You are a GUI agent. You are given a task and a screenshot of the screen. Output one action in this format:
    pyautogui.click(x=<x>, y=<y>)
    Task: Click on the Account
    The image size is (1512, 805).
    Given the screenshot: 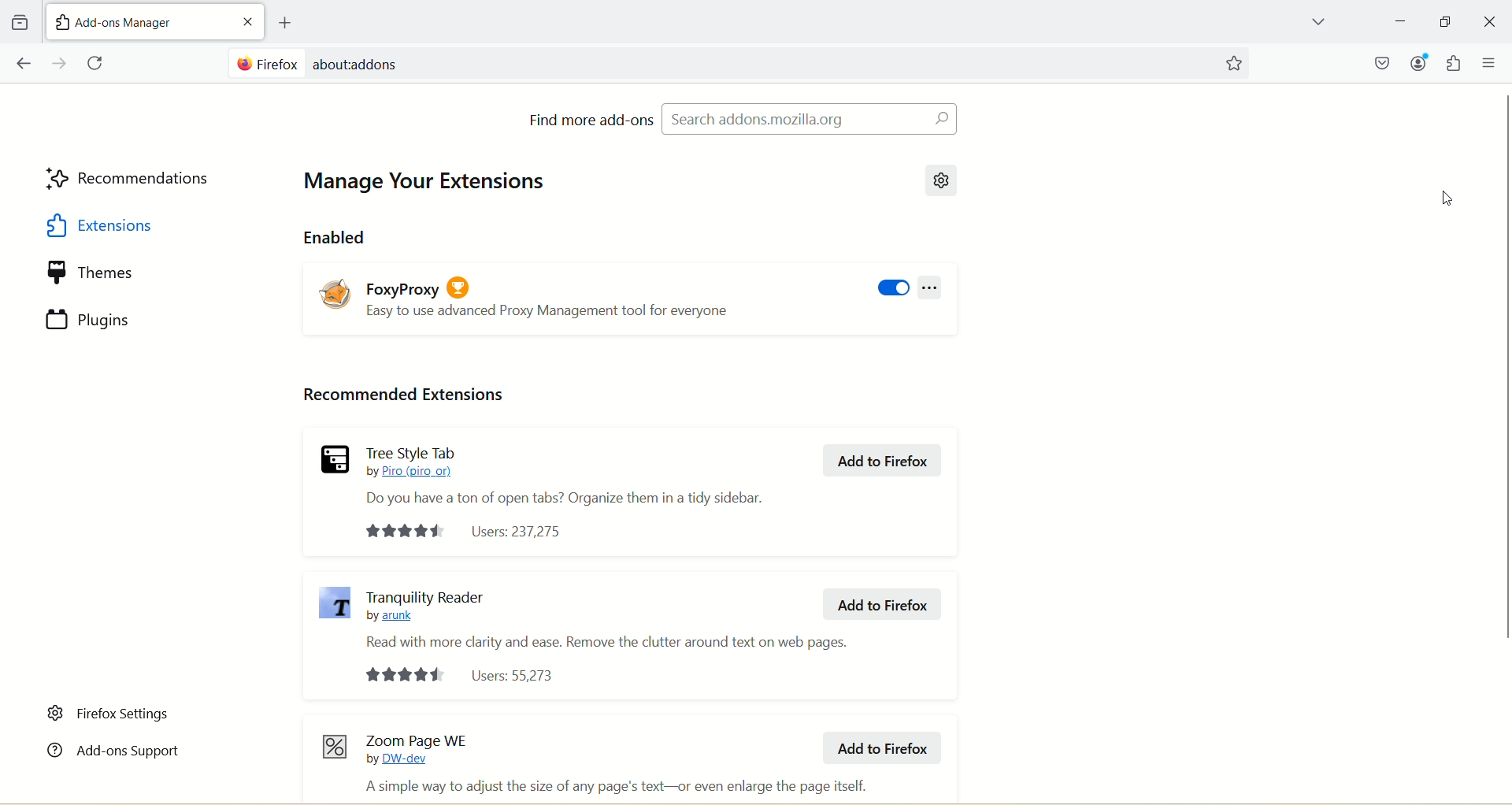 What is the action you would take?
    pyautogui.click(x=1418, y=62)
    